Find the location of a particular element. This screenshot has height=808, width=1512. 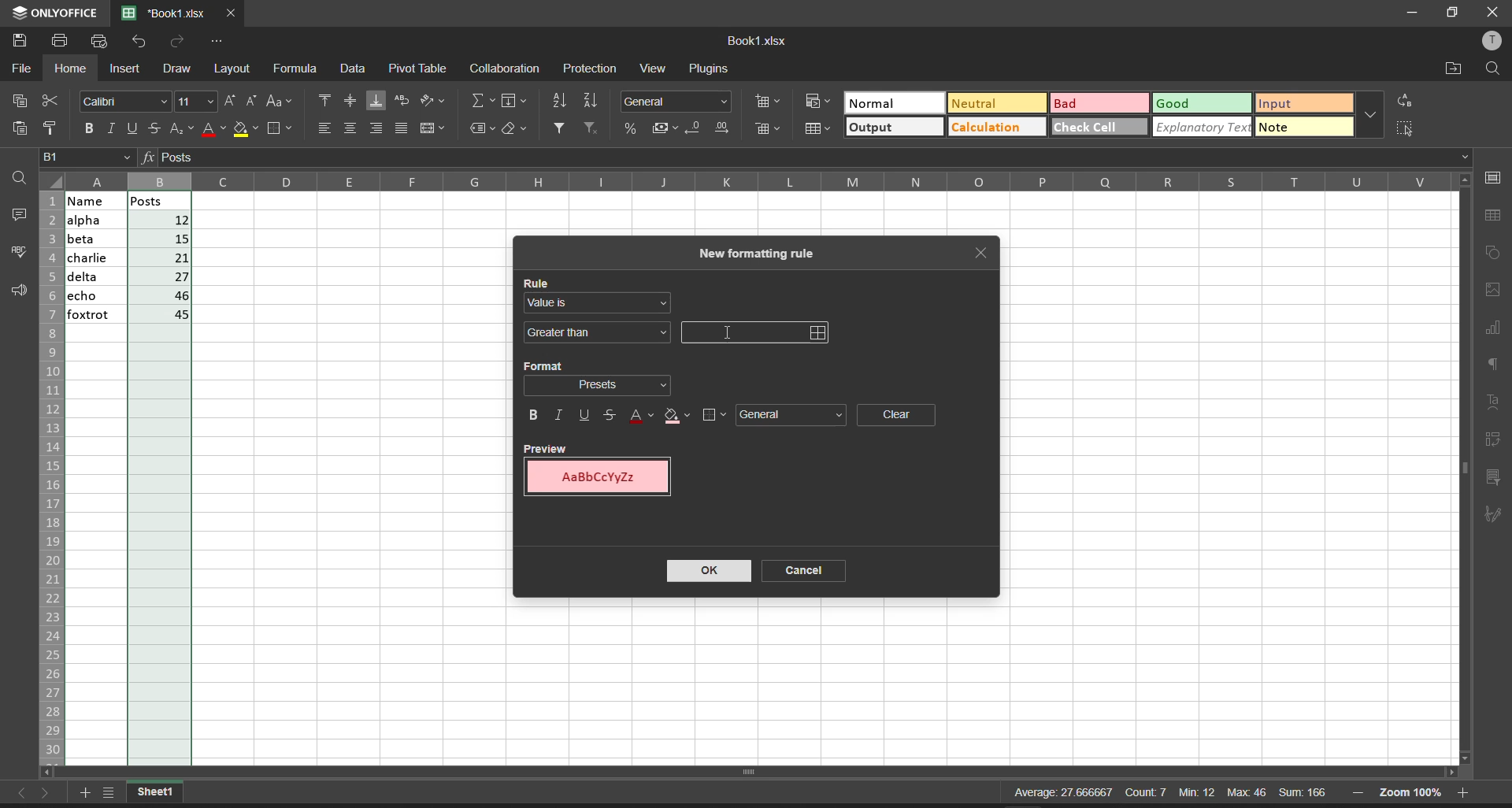

format as table is located at coordinates (821, 130).